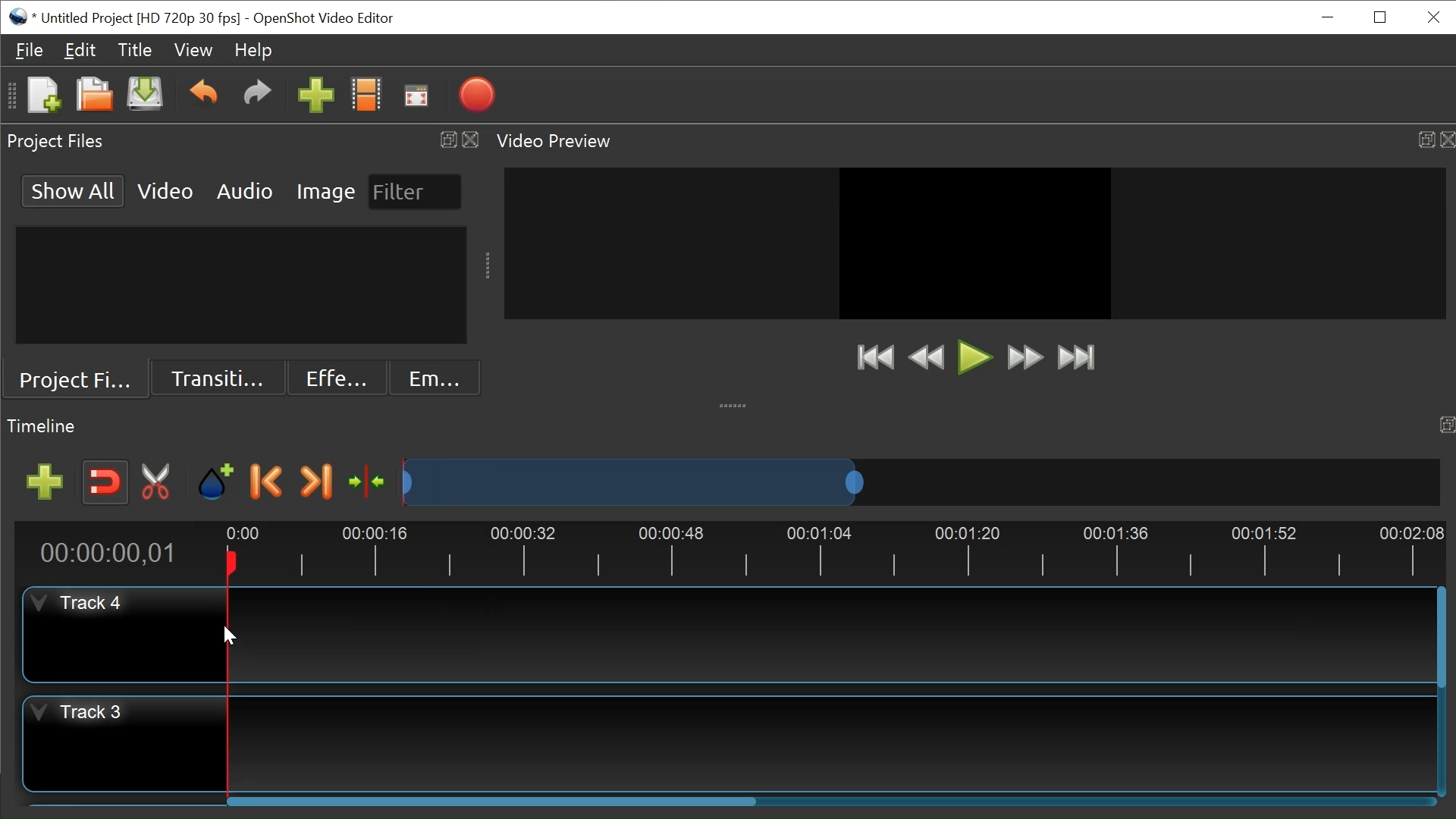 This screenshot has width=1456, height=819. What do you see at coordinates (257, 96) in the screenshot?
I see `Redo` at bounding box center [257, 96].